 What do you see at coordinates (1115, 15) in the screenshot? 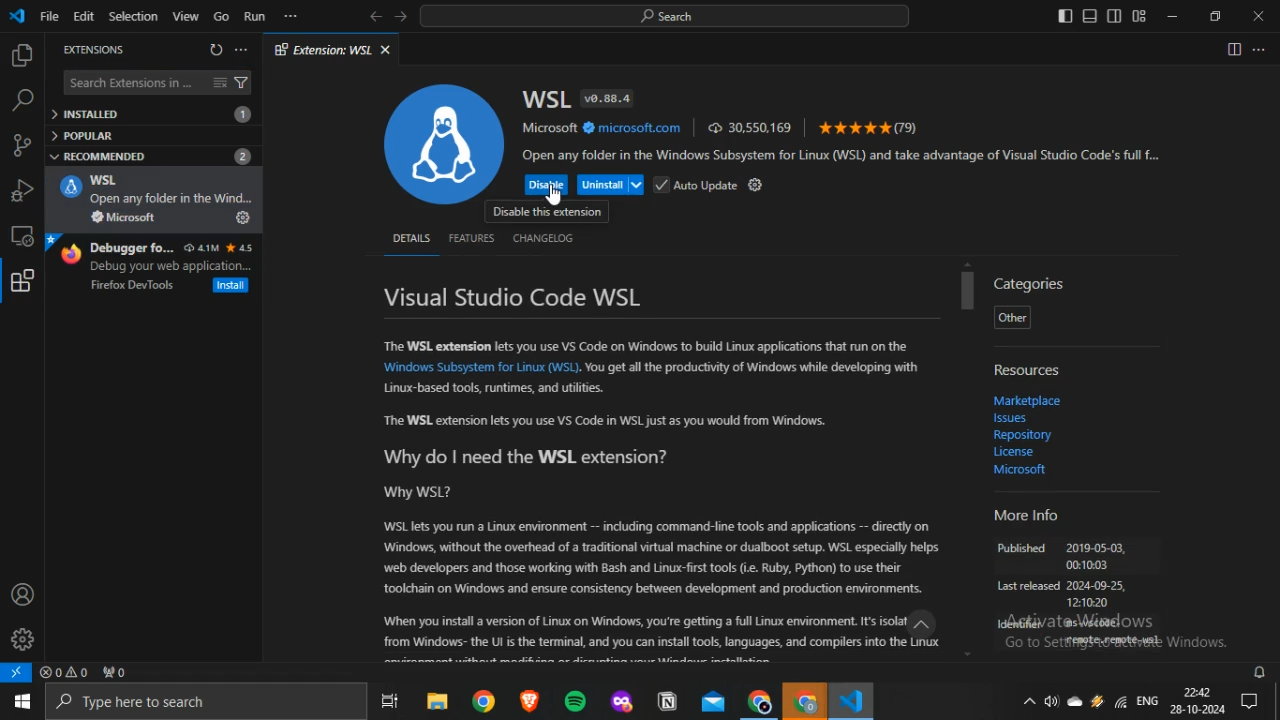
I see `toggle secondary sidebar` at bounding box center [1115, 15].